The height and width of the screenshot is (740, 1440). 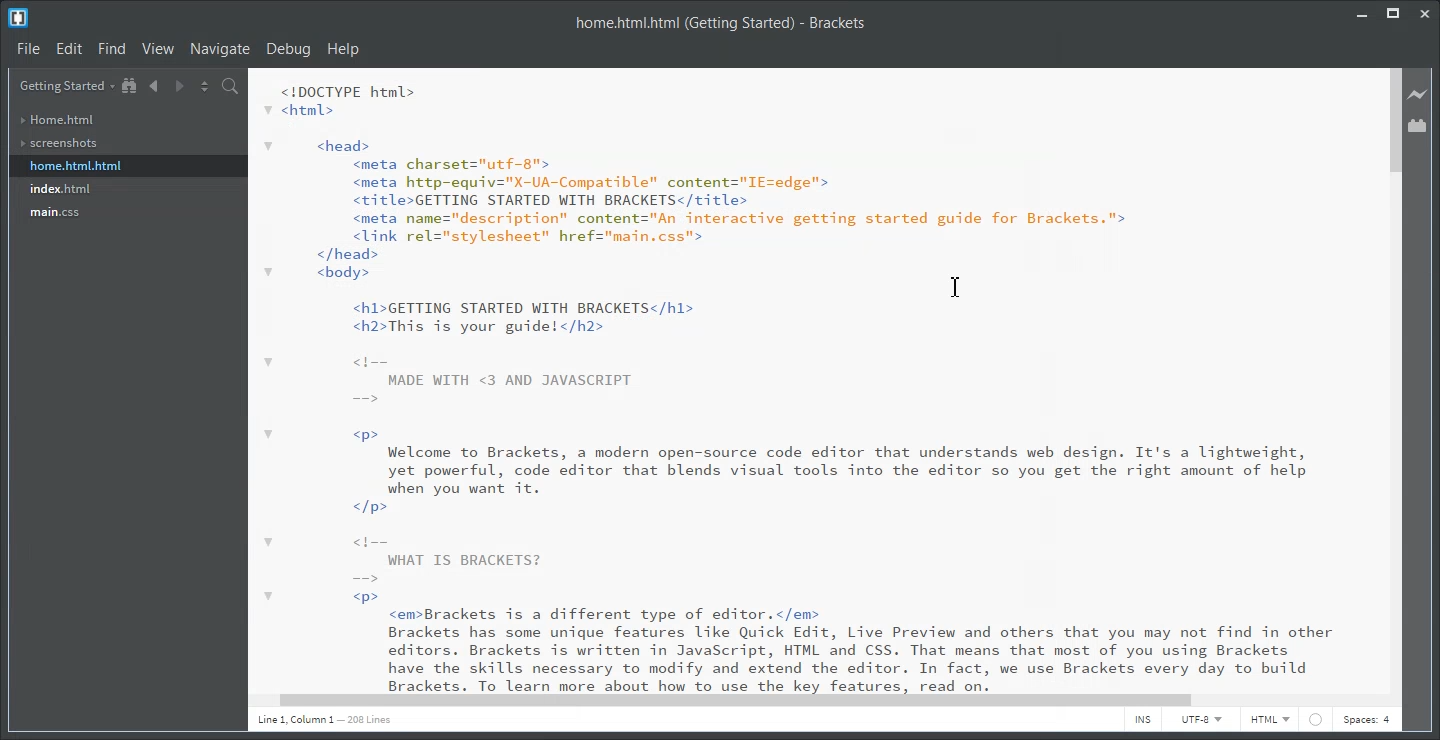 I want to click on View, so click(x=160, y=48).